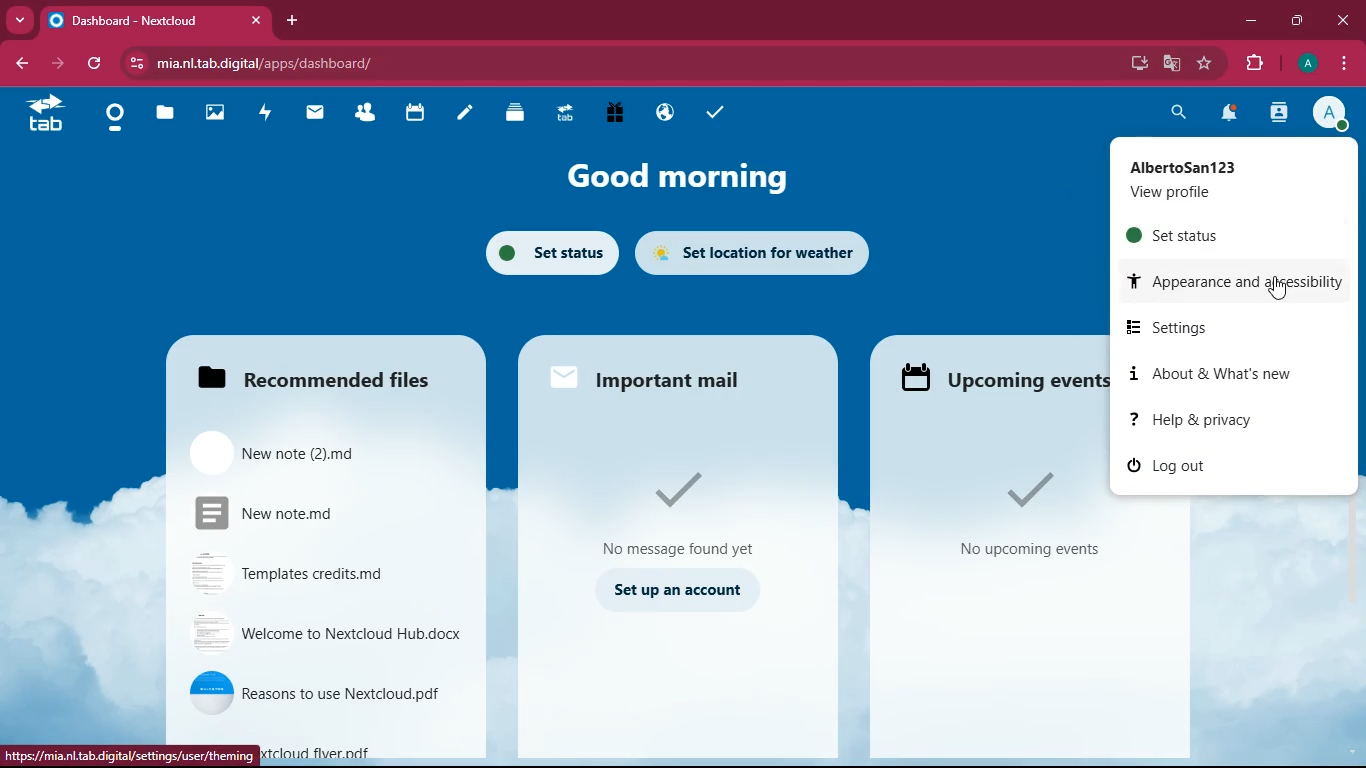  I want to click on notes, so click(464, 115).